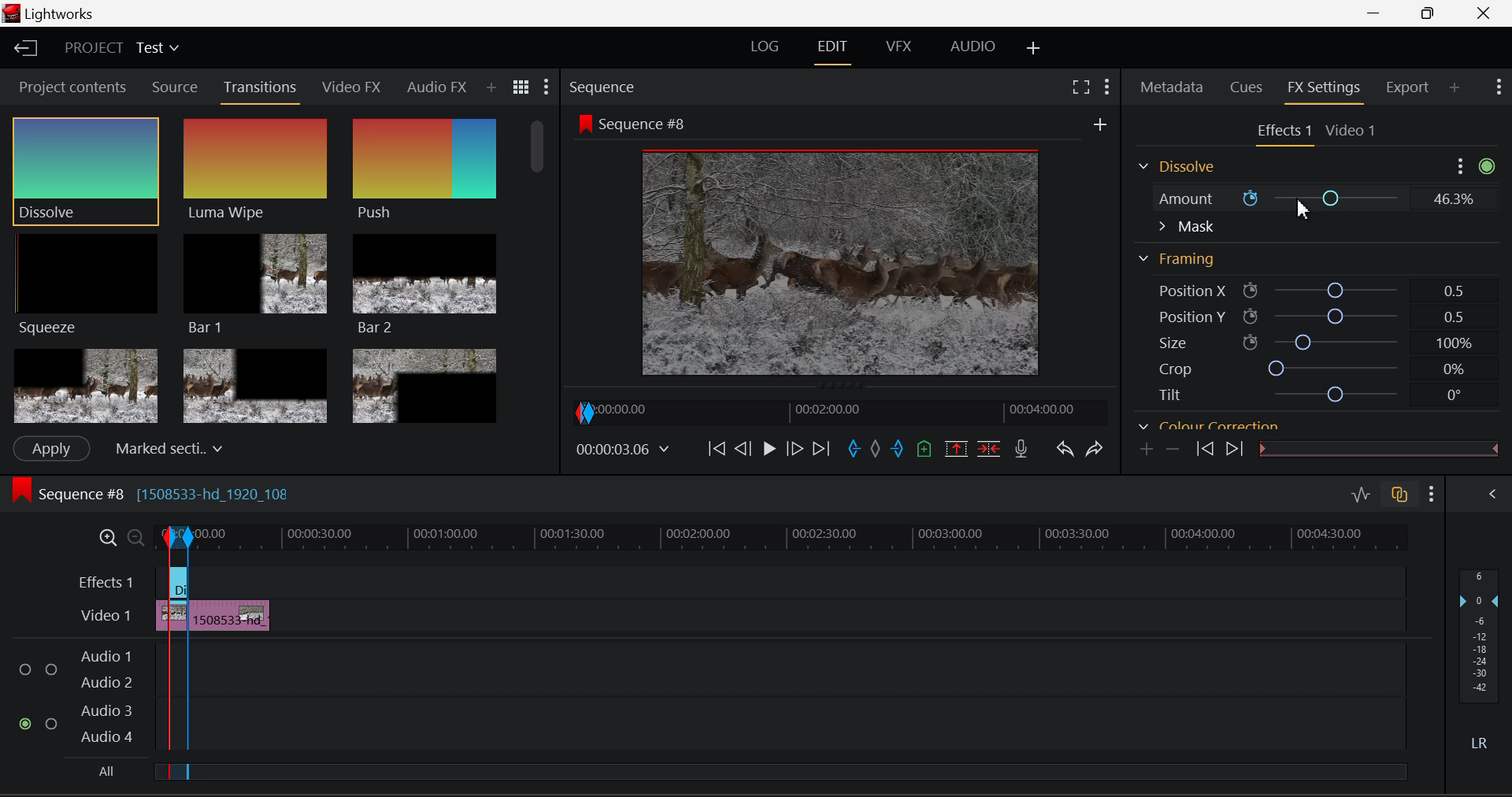 This screenshot has height=797, width=1512. What do you see at coordinates (426, 383) in the screenshot?
I see `Box 3` at bounding box center [426, 383].